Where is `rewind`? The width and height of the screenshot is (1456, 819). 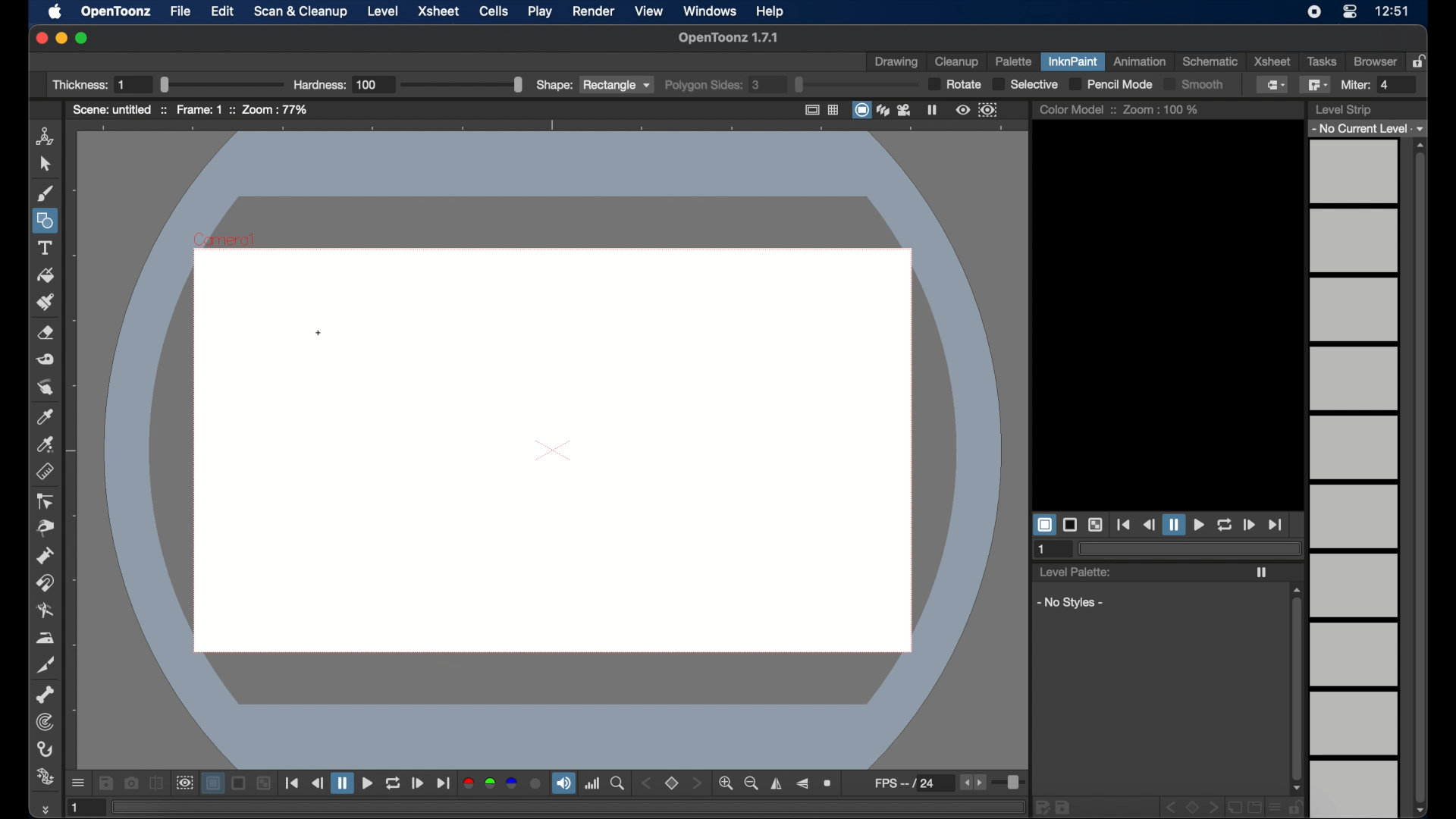 rewind is located at coordinates (1148, 525).